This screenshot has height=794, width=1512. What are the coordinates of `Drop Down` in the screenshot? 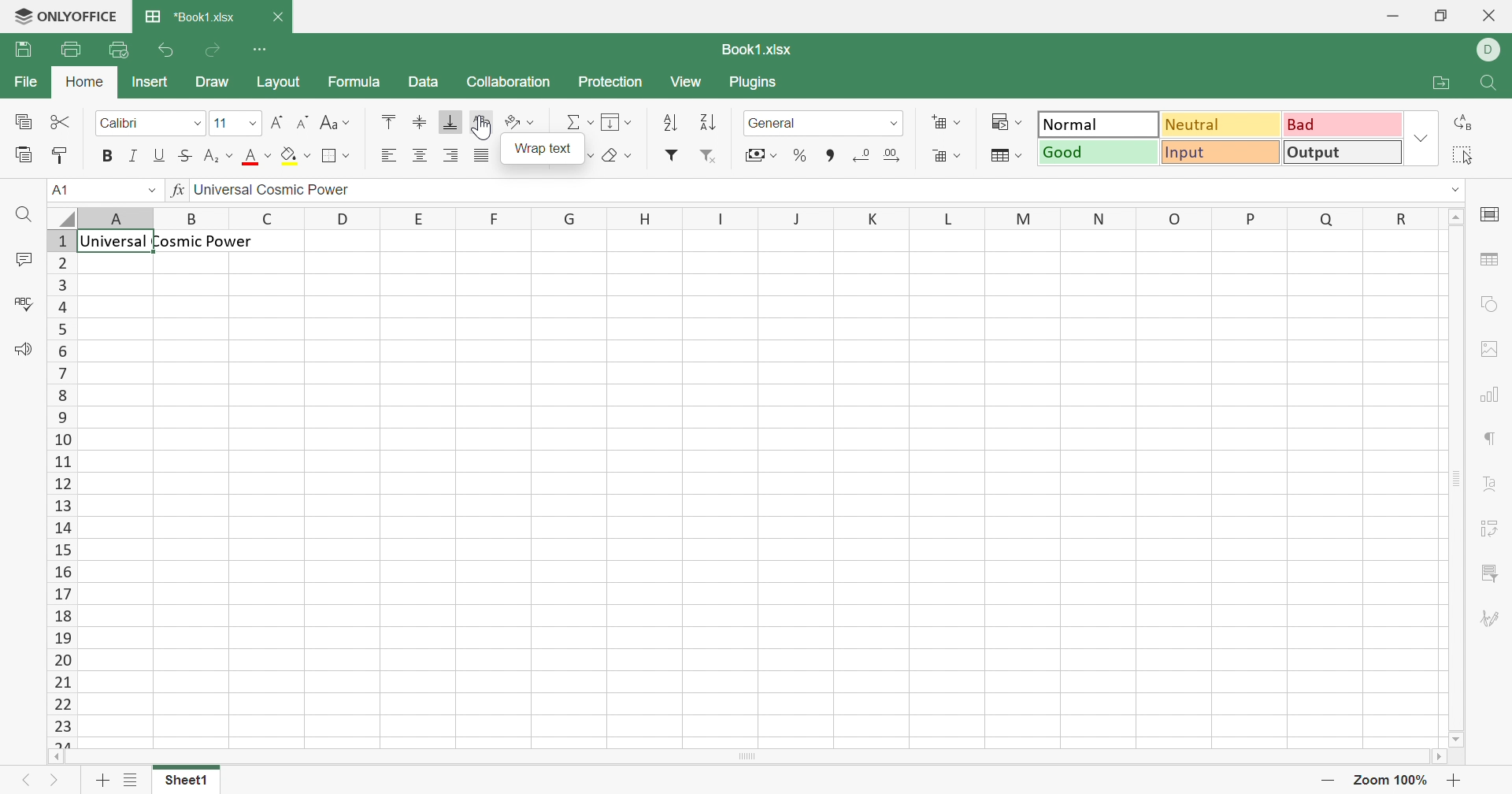 It's located at (252, 124).